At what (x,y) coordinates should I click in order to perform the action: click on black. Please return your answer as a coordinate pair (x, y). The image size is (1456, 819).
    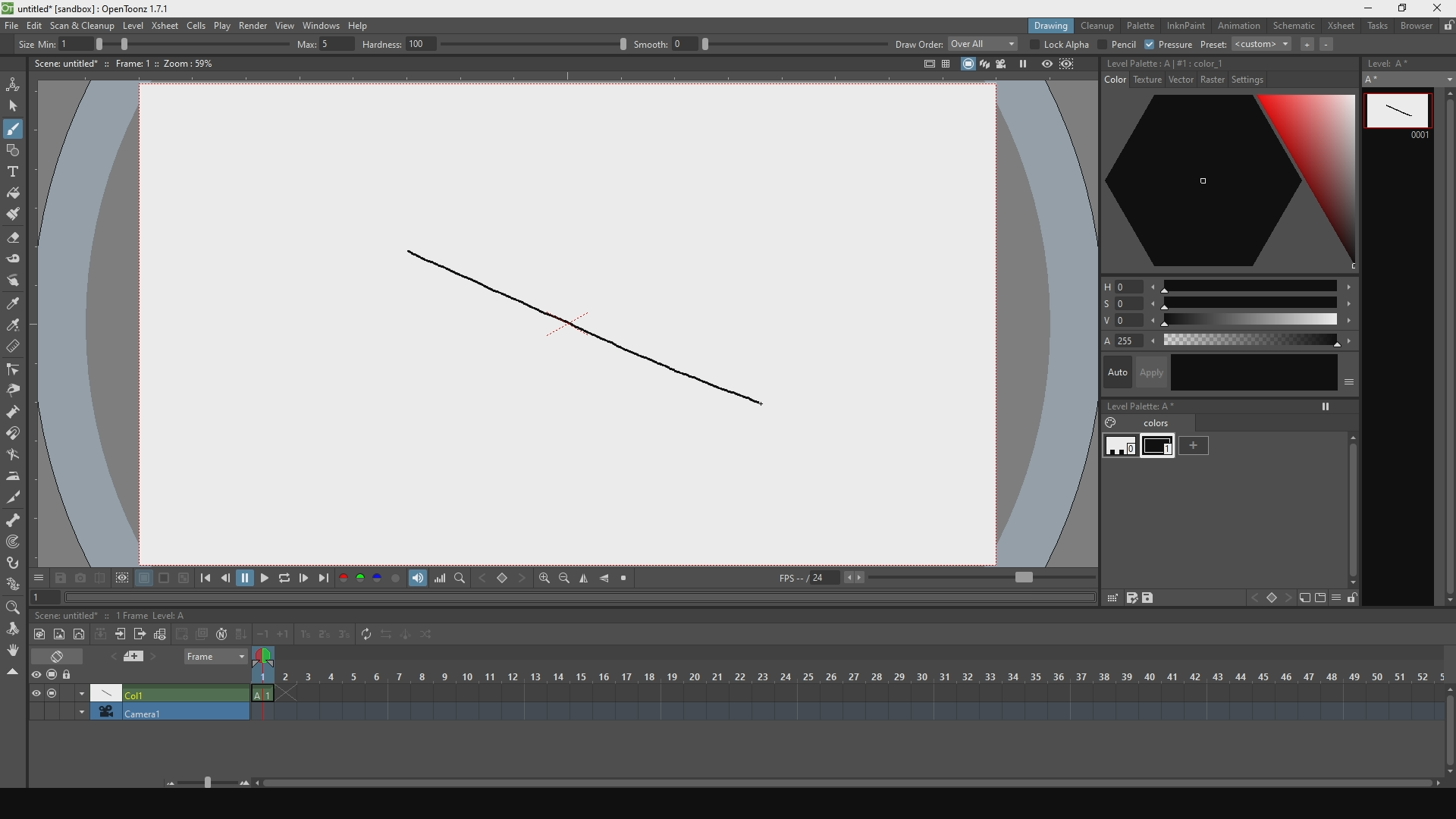
    Looking at the image, I should click on (1159, 448).